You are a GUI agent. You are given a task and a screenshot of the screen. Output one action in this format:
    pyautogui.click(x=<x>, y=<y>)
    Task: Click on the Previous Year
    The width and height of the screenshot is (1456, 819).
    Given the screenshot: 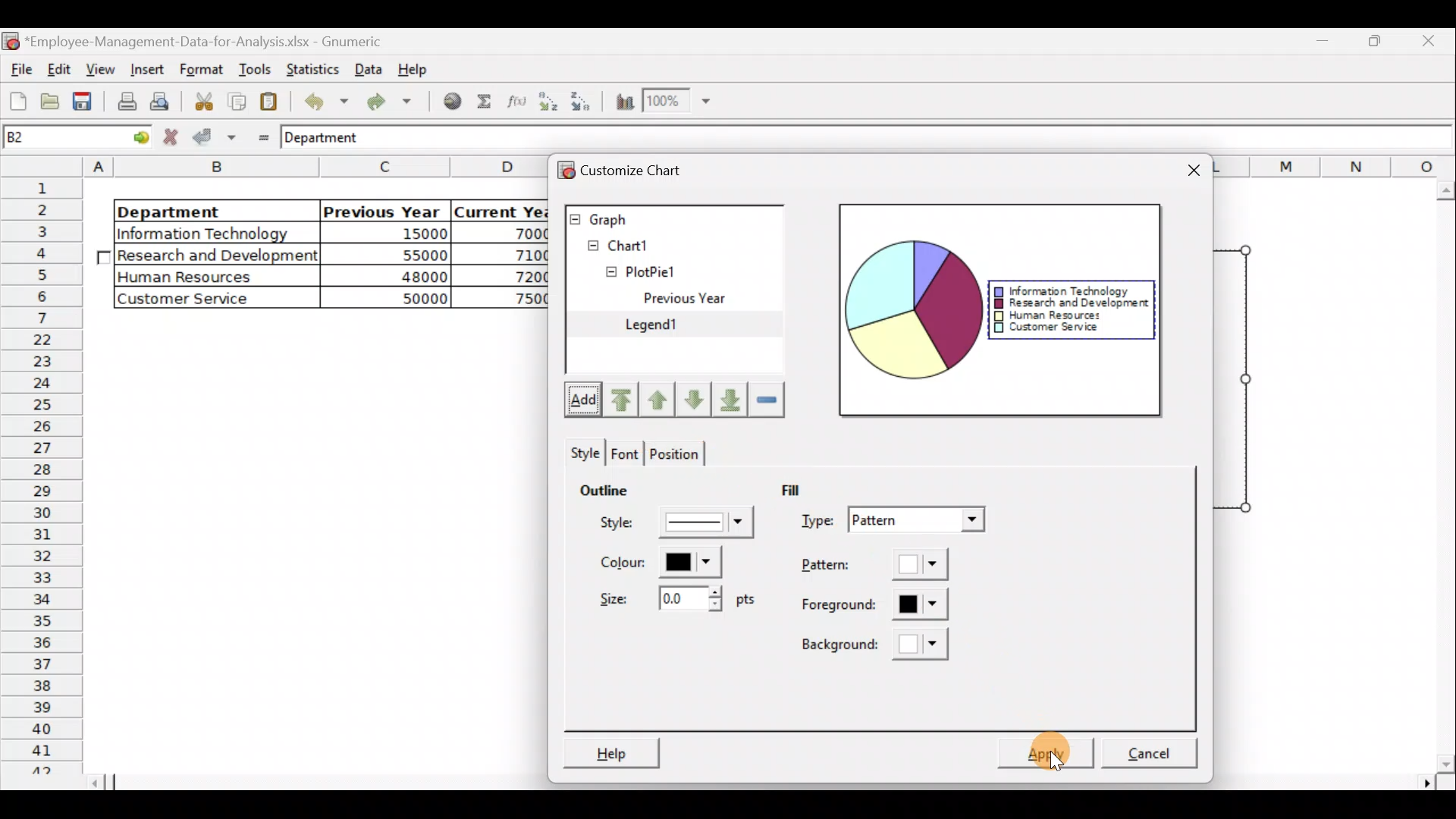 What is the action you would take?
    pyautogui.click(x=382, y=209)
    